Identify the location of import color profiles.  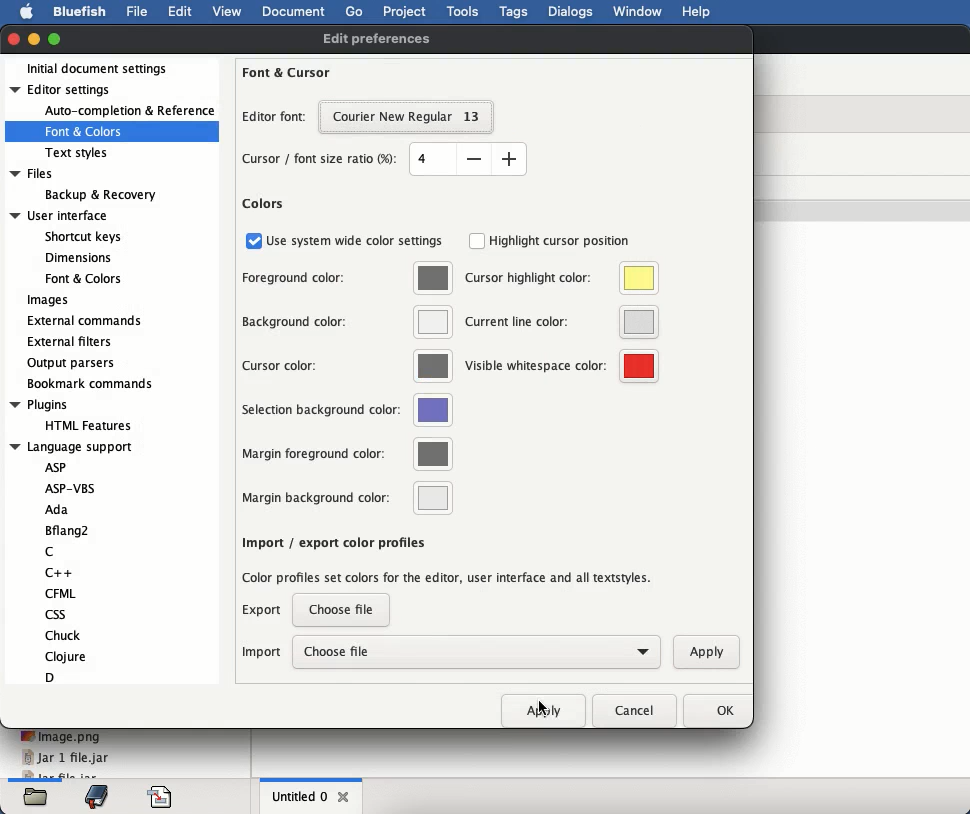
(449, 576).